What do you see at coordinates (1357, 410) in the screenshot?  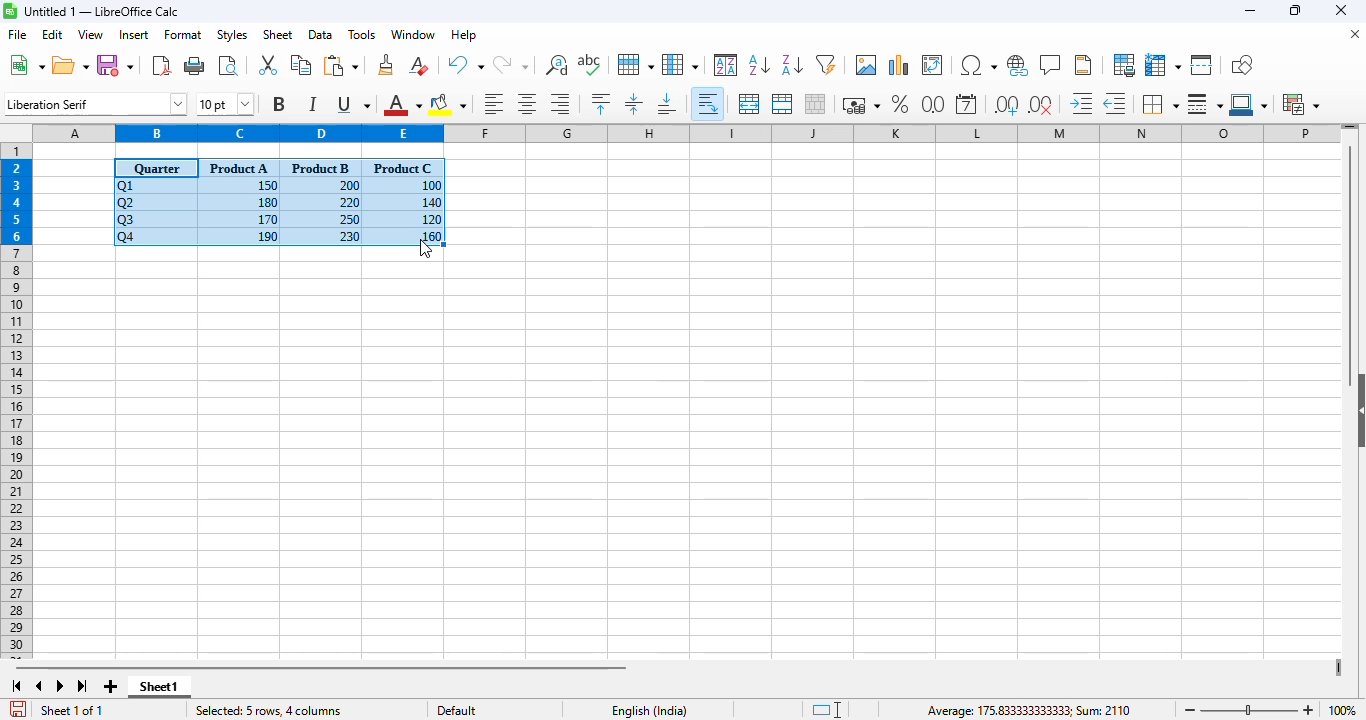 I see `show` at bounding box center [1357, 410].